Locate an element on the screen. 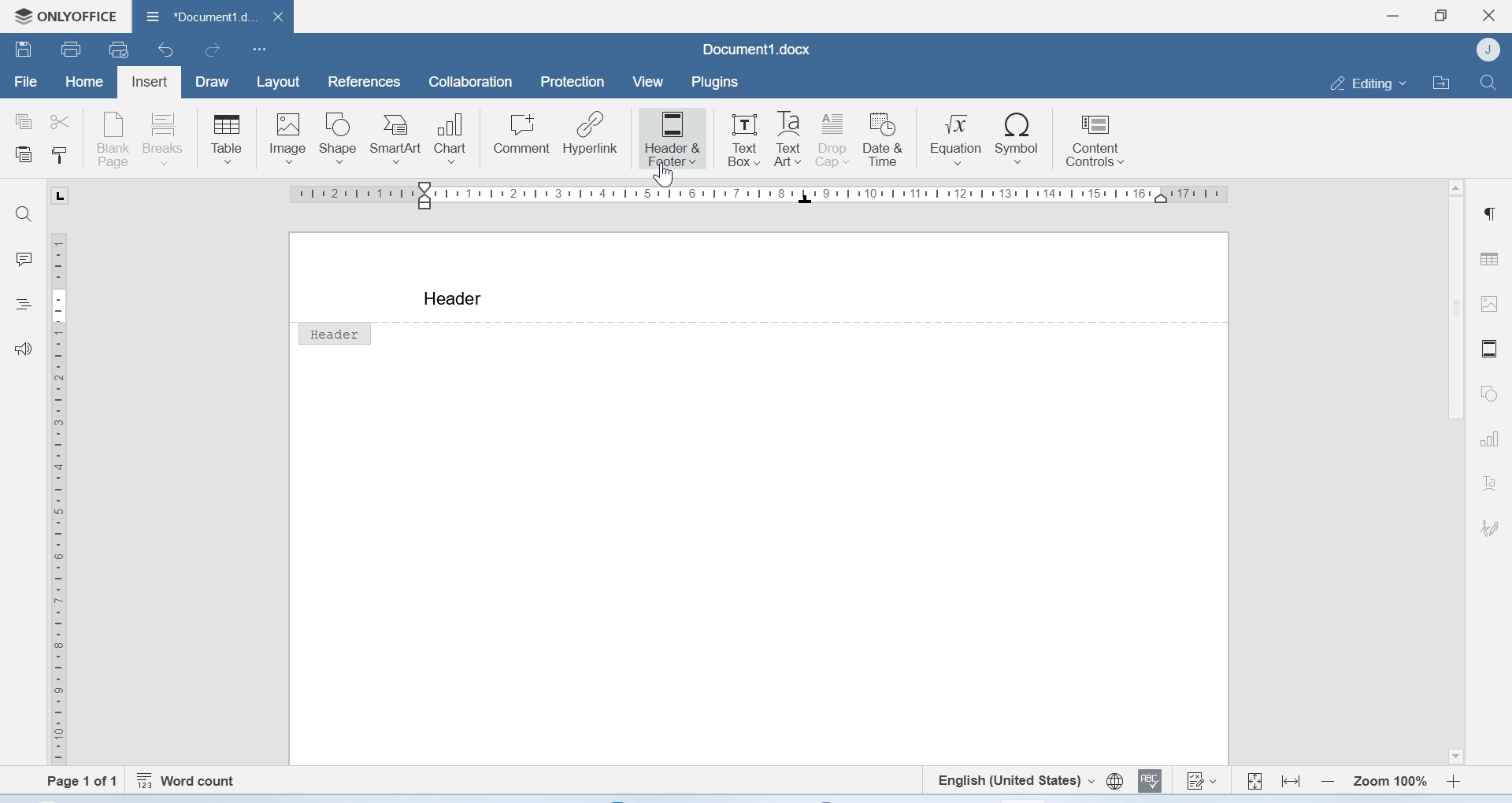 This screenshot has height=803, width=1512. File is located at coordinates (24, 83).